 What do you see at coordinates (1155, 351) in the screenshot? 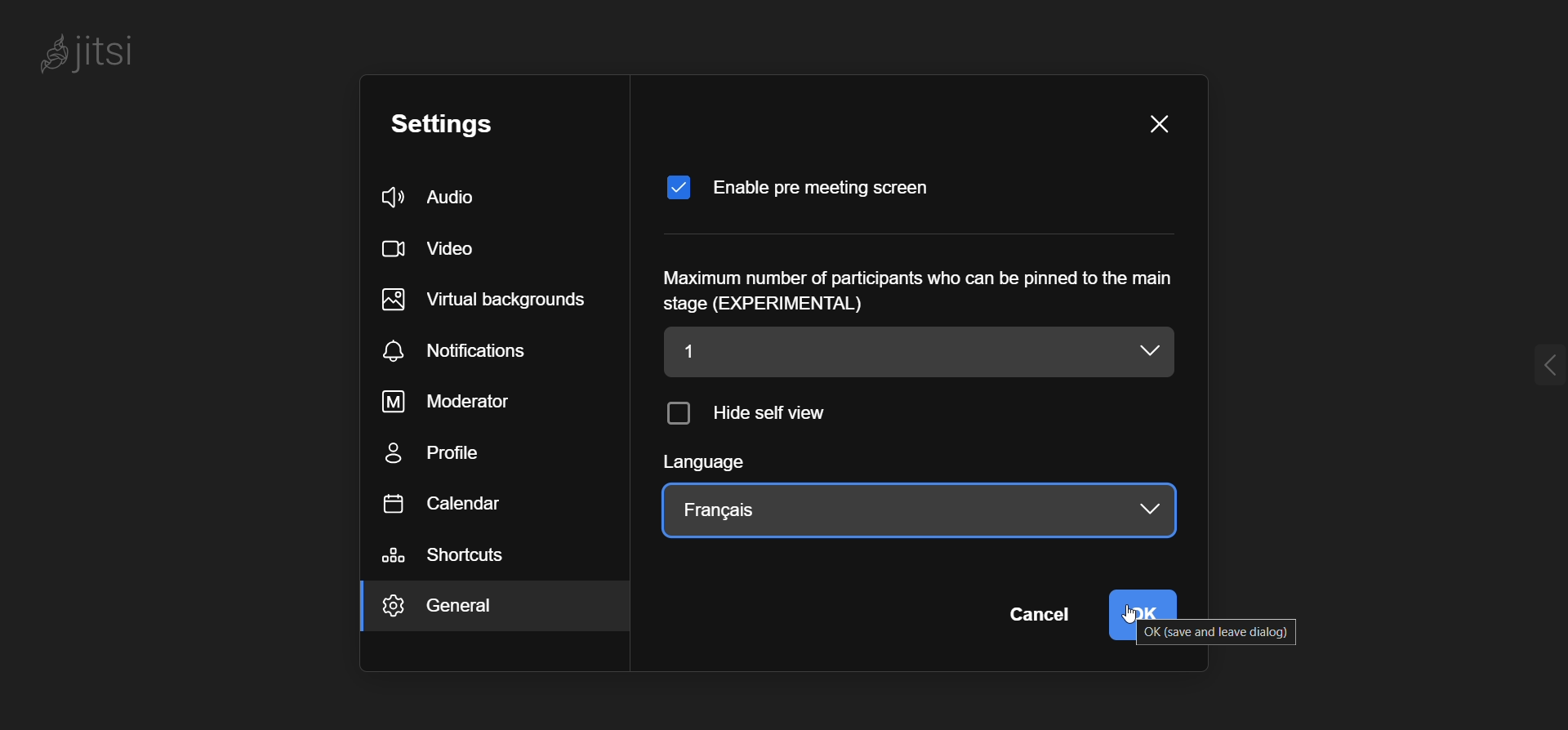
I see `dropdown` at bounding box center [1155, 351].